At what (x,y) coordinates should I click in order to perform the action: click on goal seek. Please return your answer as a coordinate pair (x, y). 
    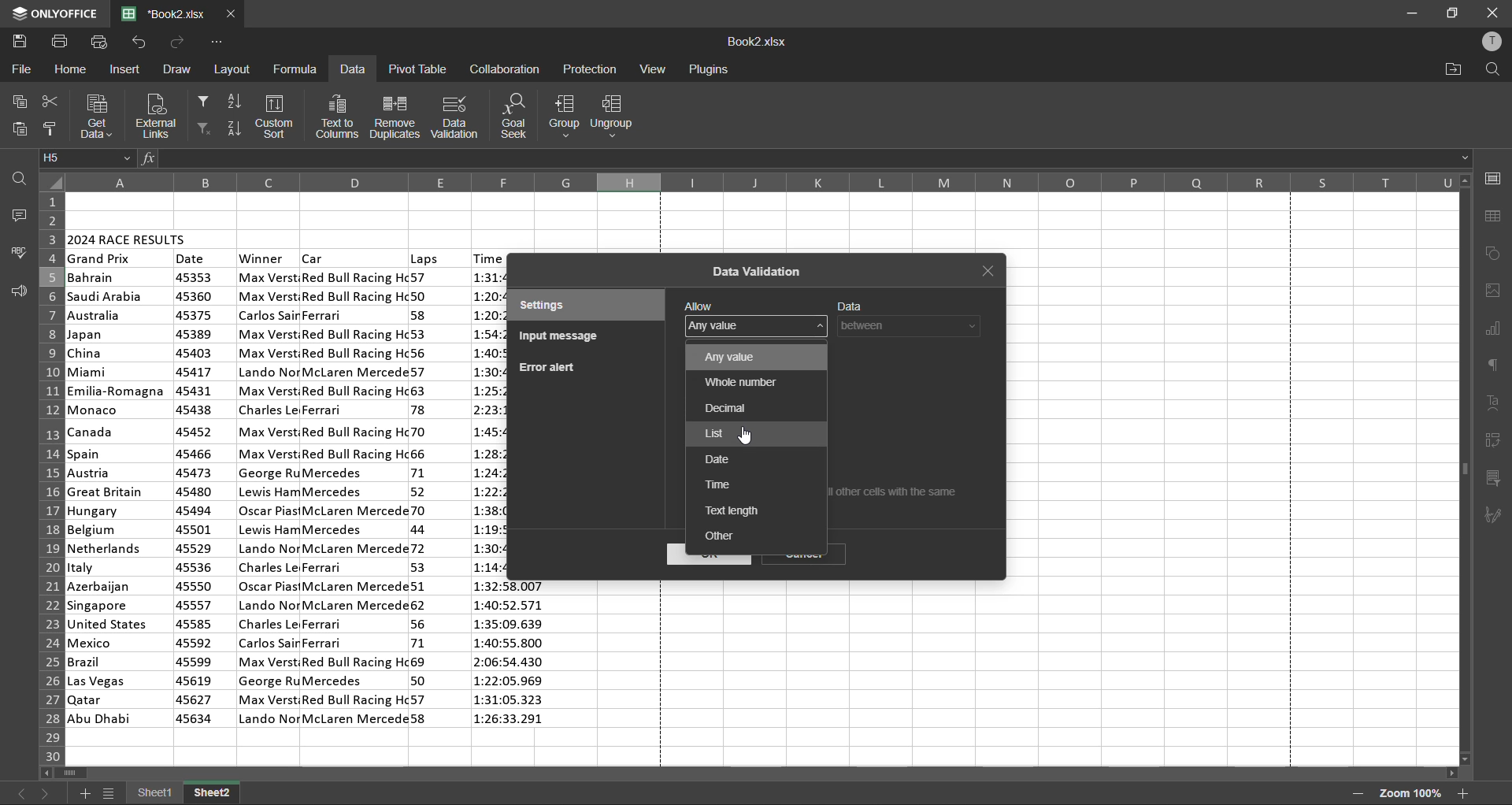
    Looking at the image, I should click on (518, 117).